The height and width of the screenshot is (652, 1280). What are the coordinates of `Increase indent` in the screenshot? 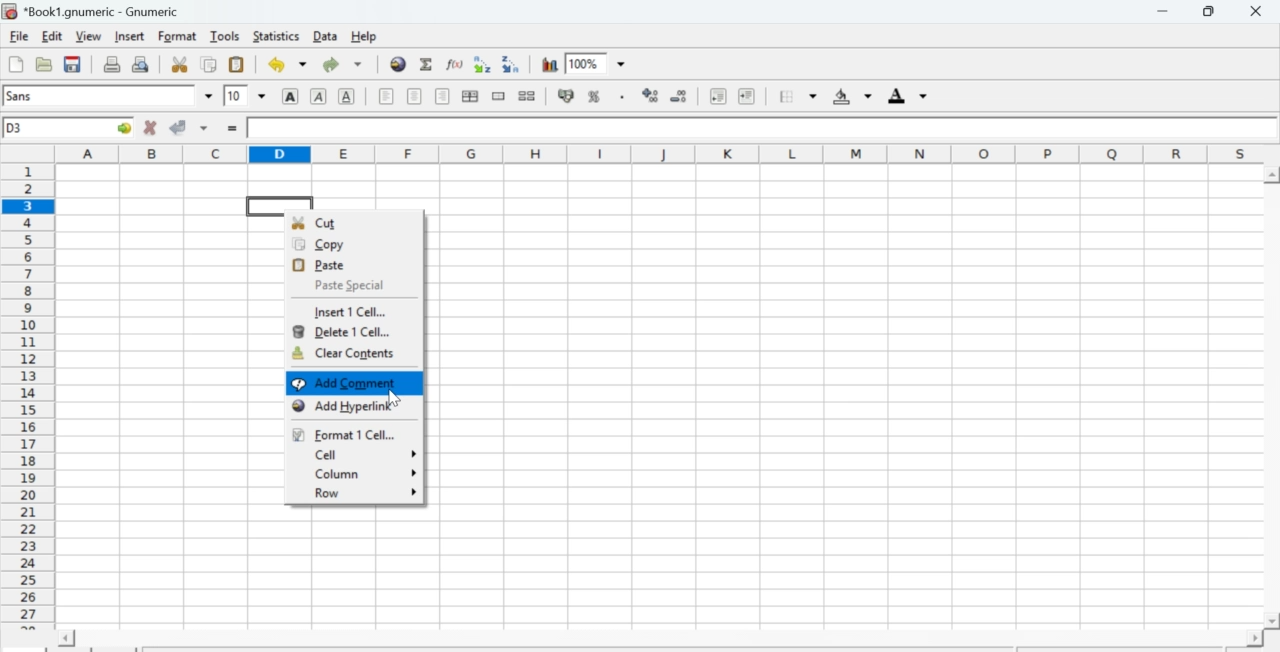 It's located at (751, 96).